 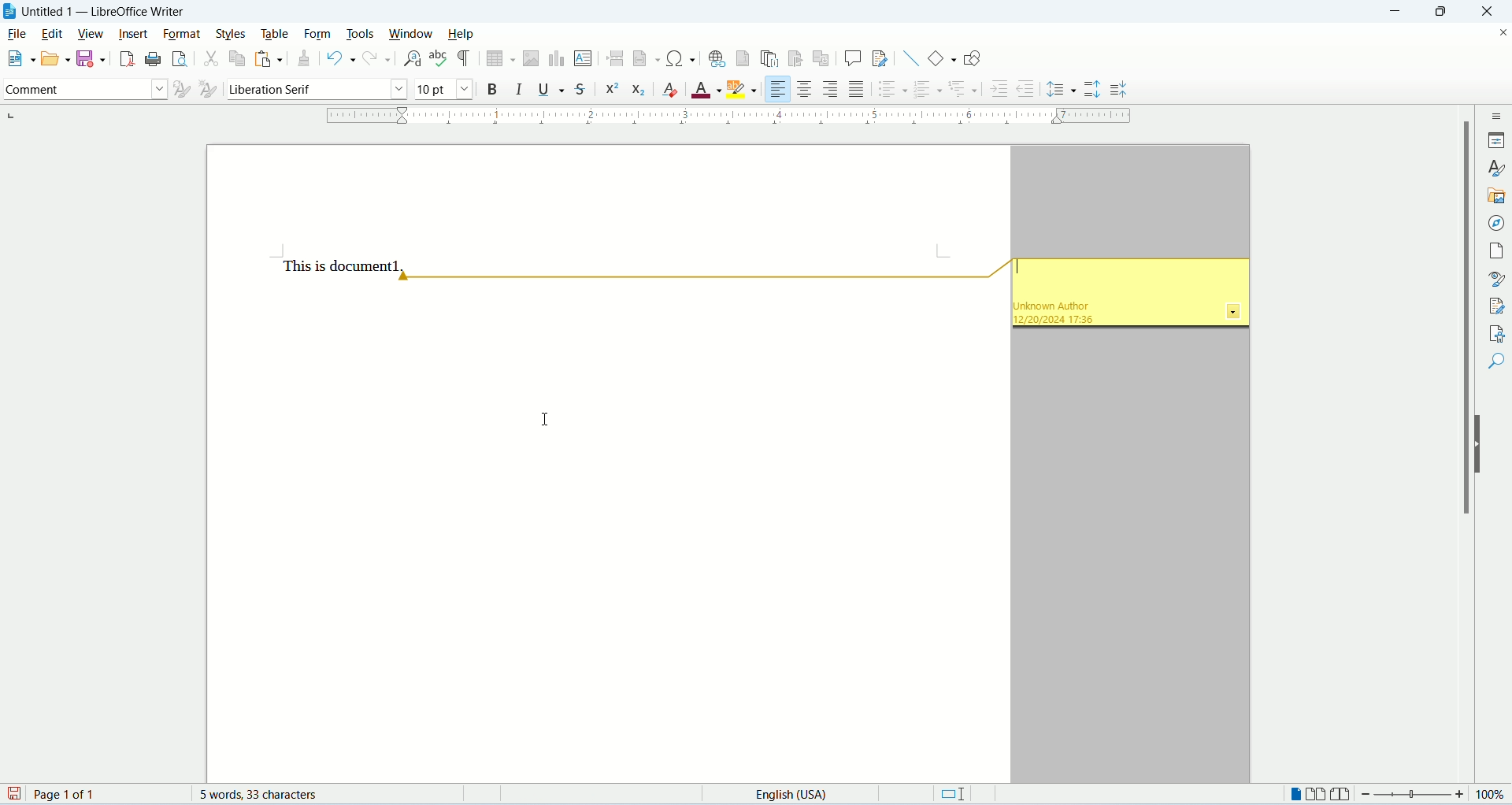 I want to click on spell check, so click(x=439, y=60).